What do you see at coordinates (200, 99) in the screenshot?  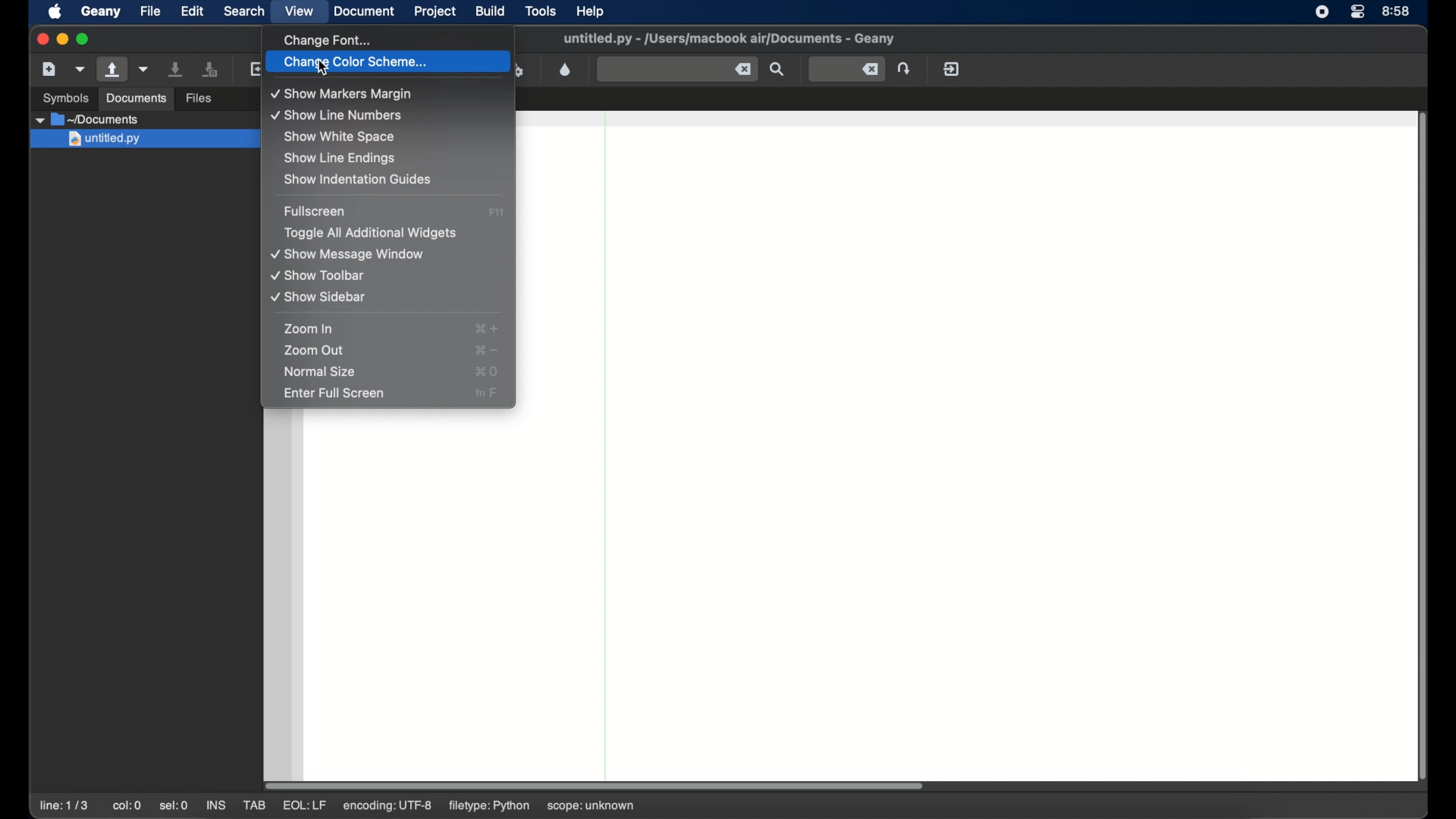 I see `files` at bounding box center [200, 99].